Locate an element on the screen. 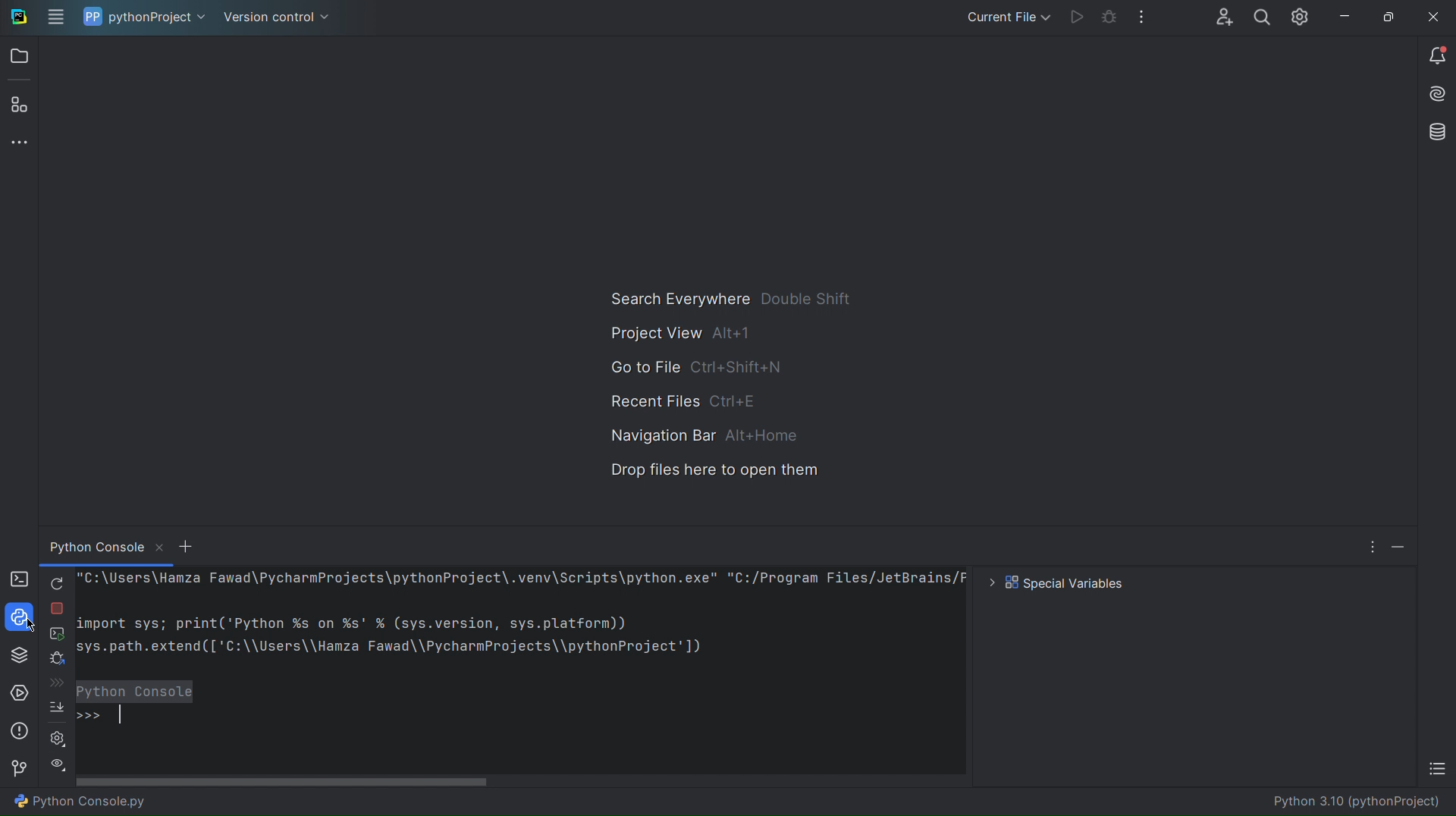 The width and height of the screenshot is (1456, 816). Python Console.py is located at coordinates (80, 801).